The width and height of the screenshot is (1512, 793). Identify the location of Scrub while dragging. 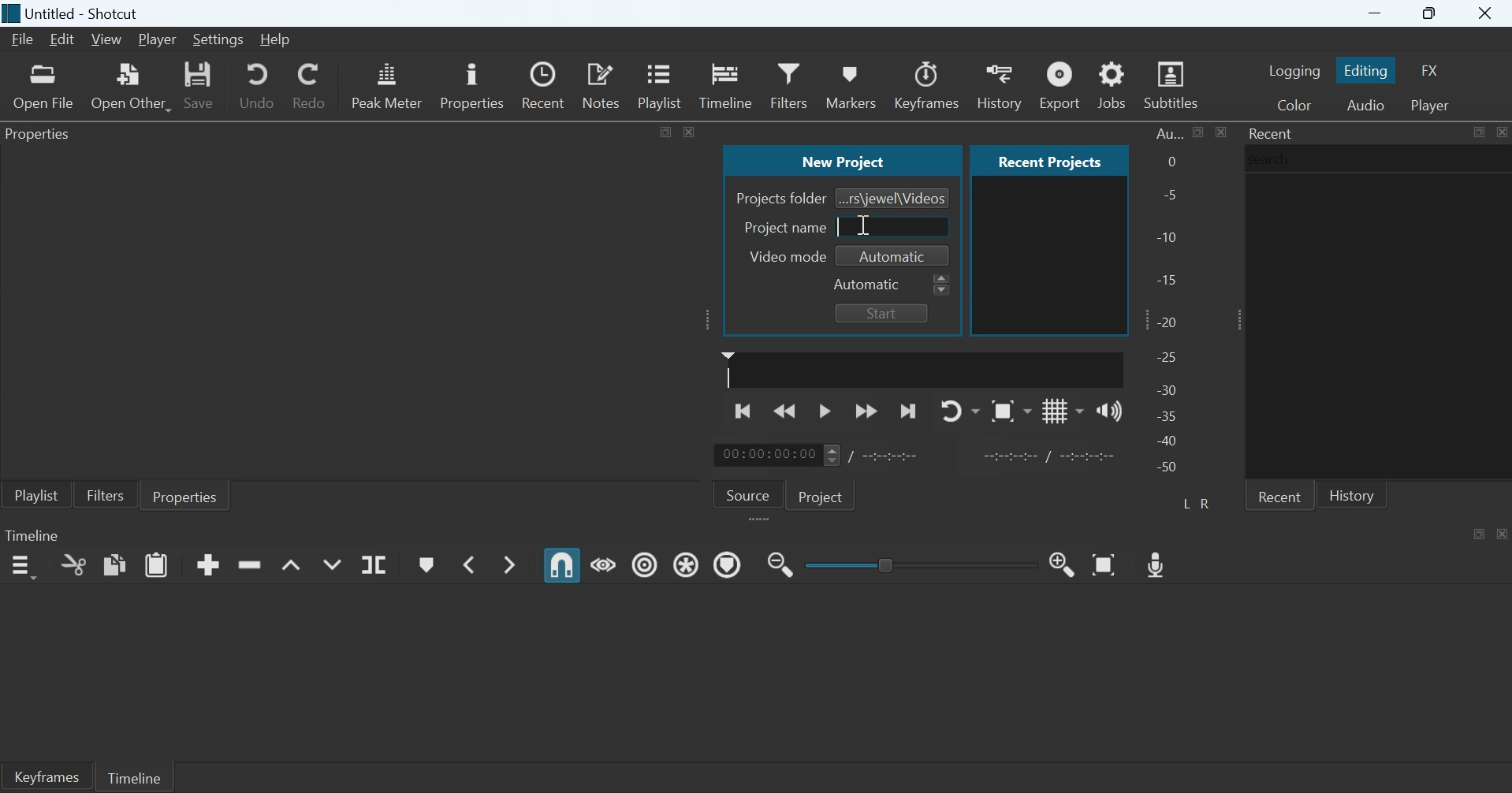
(604, 563).